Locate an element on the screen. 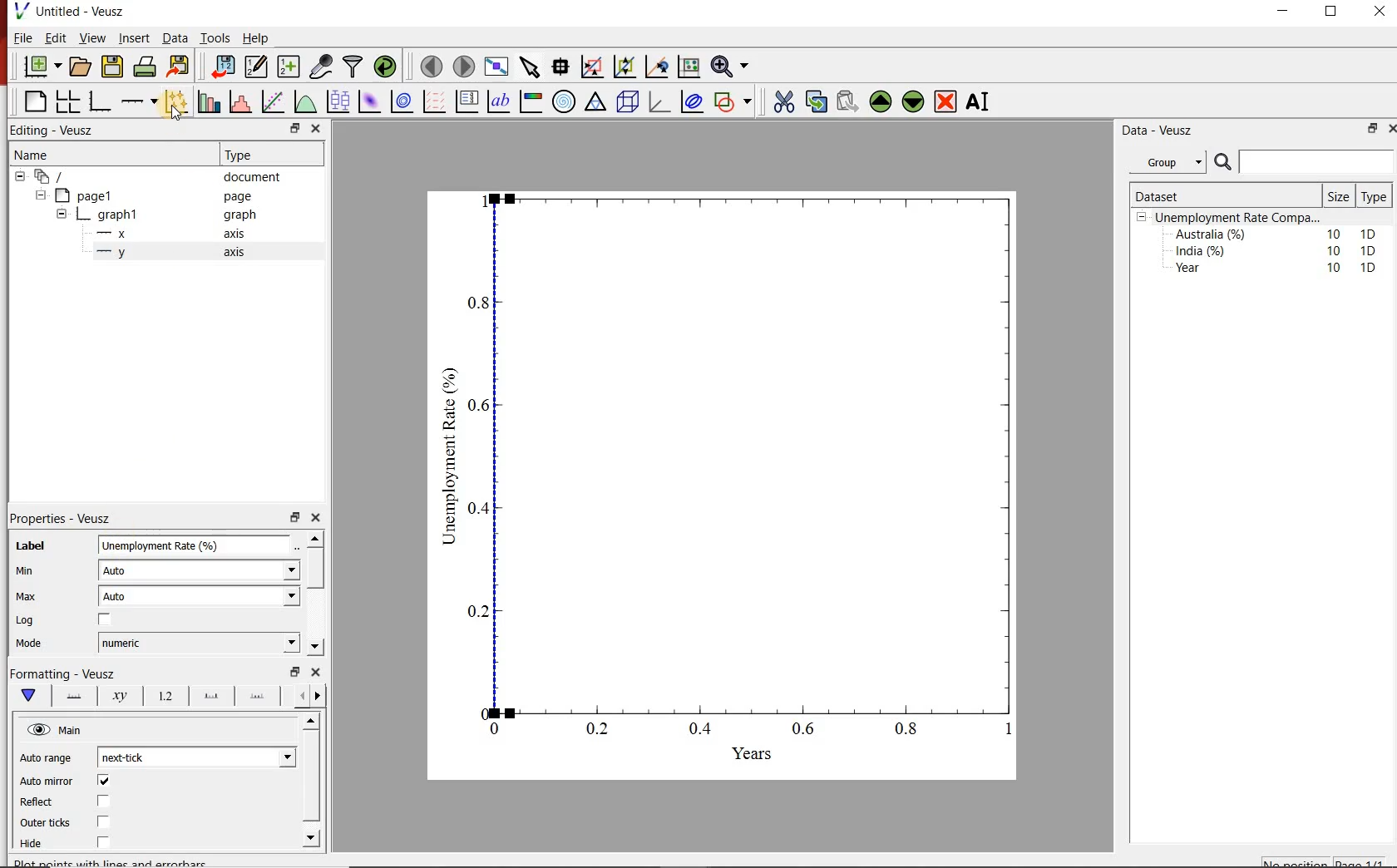  cut the widgets is located at coordinates (784, 101).